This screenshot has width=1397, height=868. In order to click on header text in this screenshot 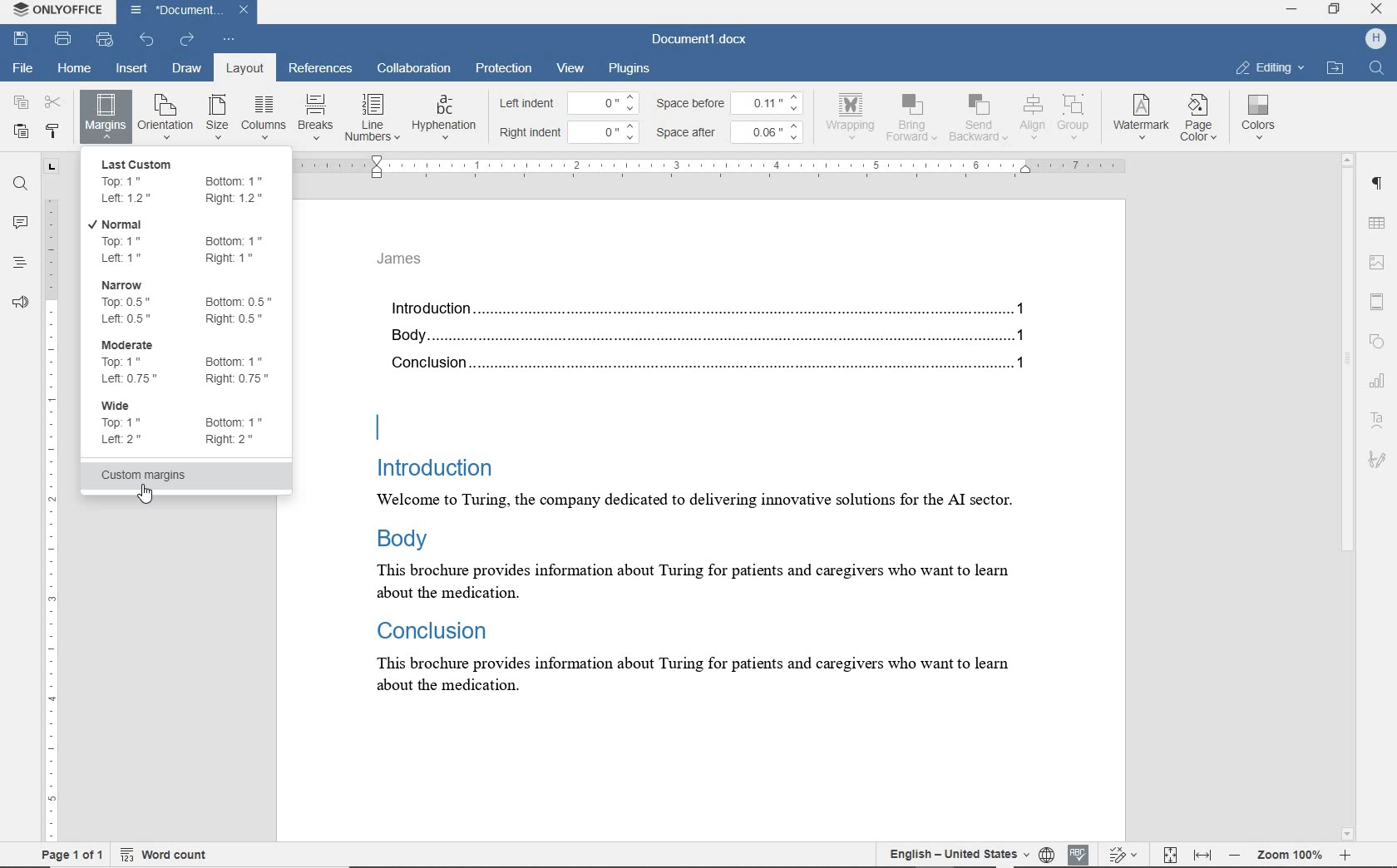, I will do `click(407, 264)`.